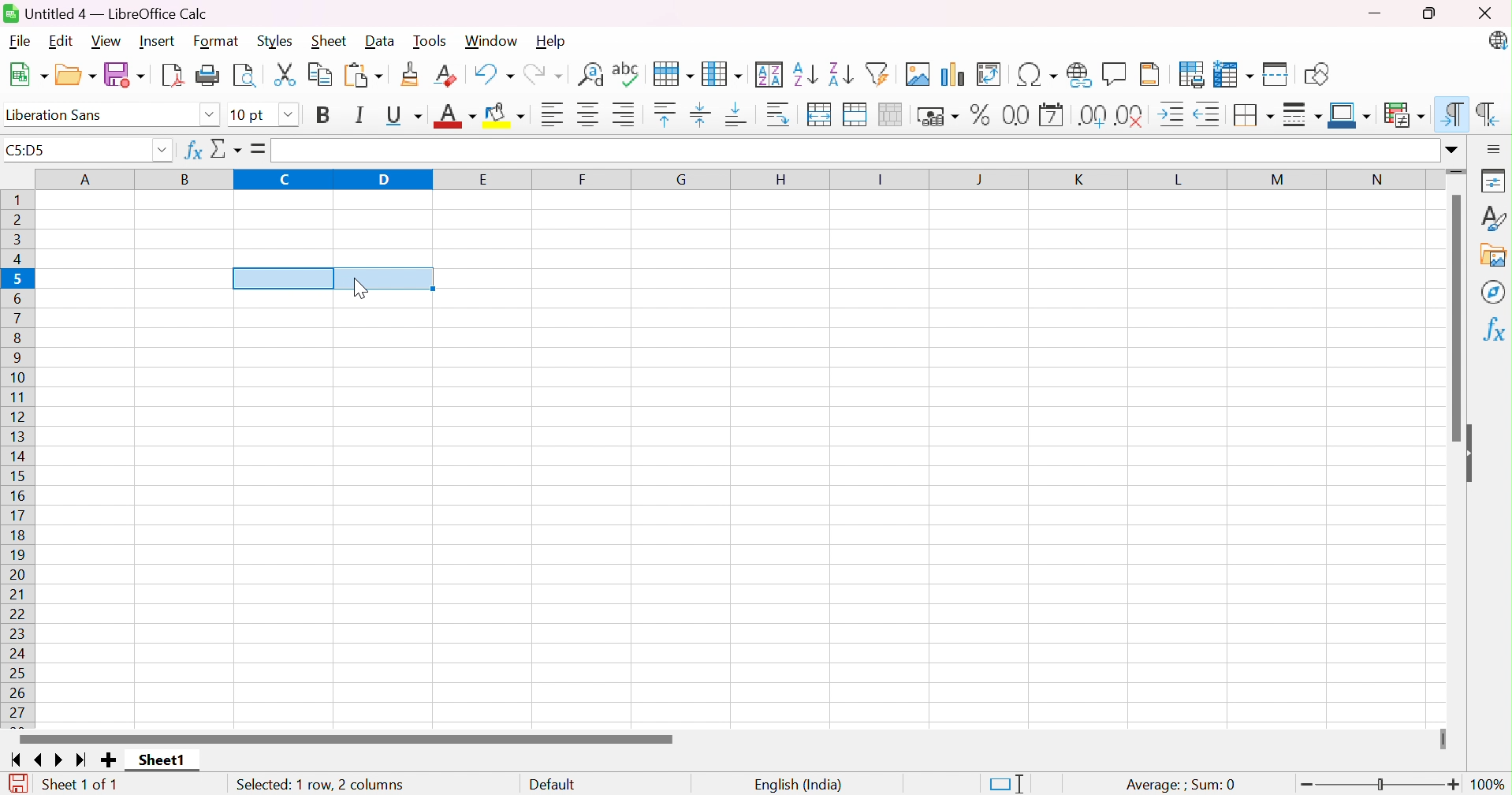 This screenshot has width=1512, height=795. I want to click on Scroll Bar, so click(346, 738).